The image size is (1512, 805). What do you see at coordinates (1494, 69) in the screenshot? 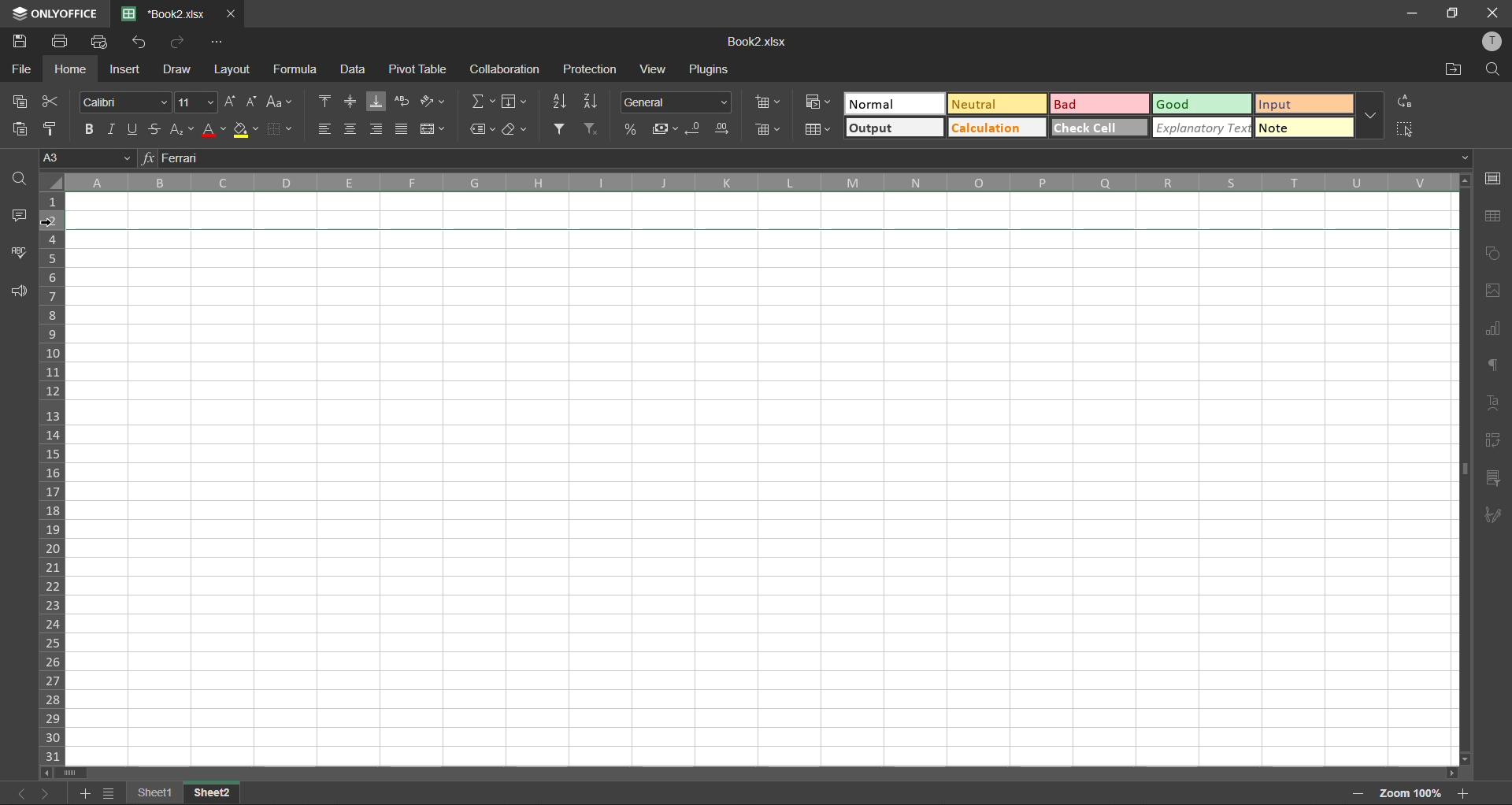
I see `find` at bounding box center [1494, 69].